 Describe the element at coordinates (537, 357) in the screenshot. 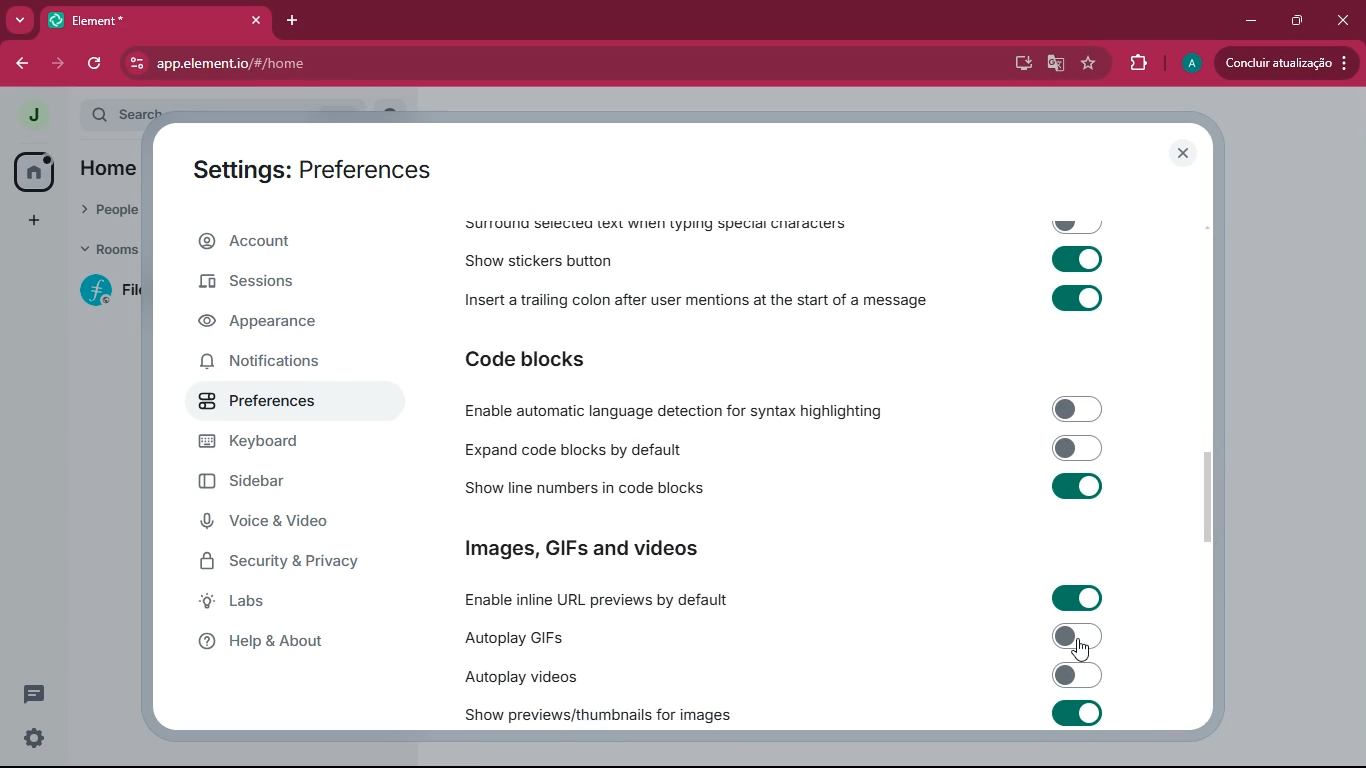

I see `code blocks ` at that location.